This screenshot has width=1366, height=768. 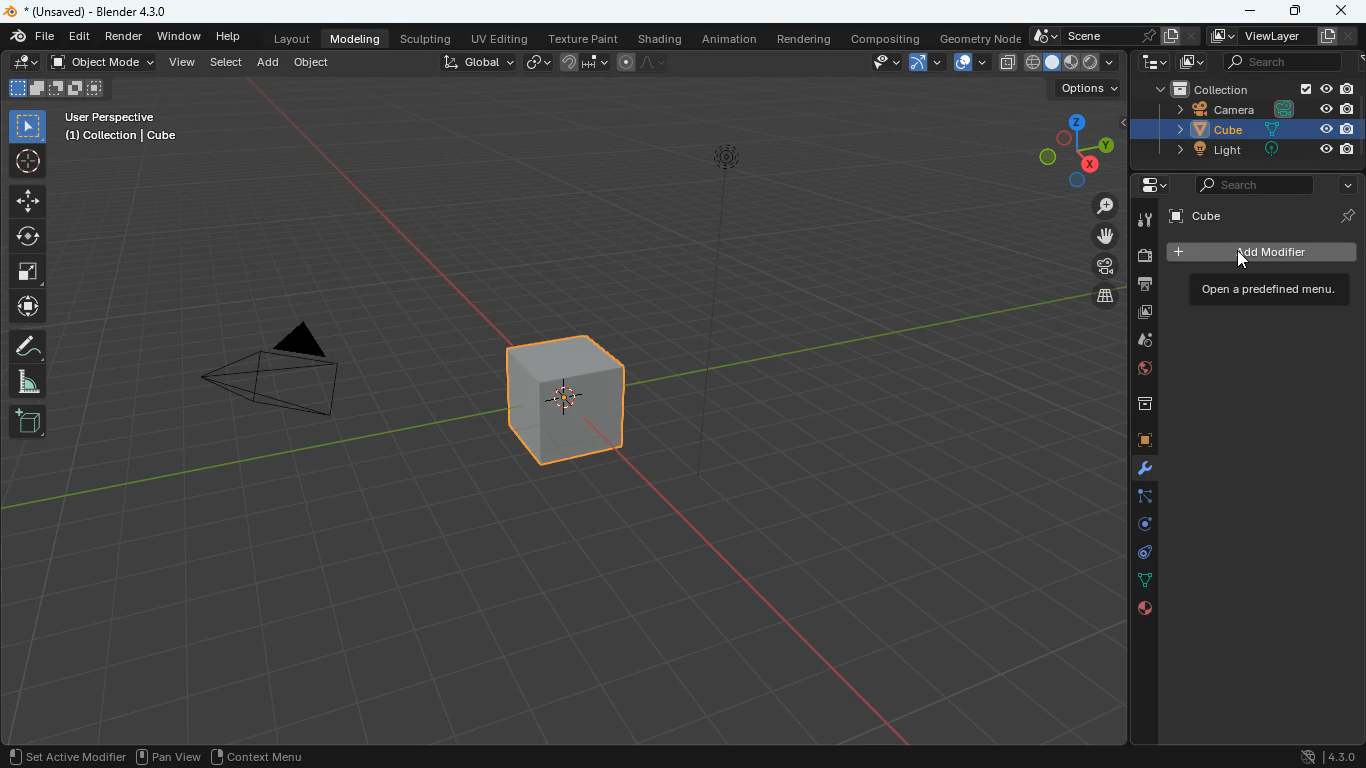 What do you see at coordinates (1251, 12) in the screenshot?
I see `minimize` at bounding box center [1251, 12].